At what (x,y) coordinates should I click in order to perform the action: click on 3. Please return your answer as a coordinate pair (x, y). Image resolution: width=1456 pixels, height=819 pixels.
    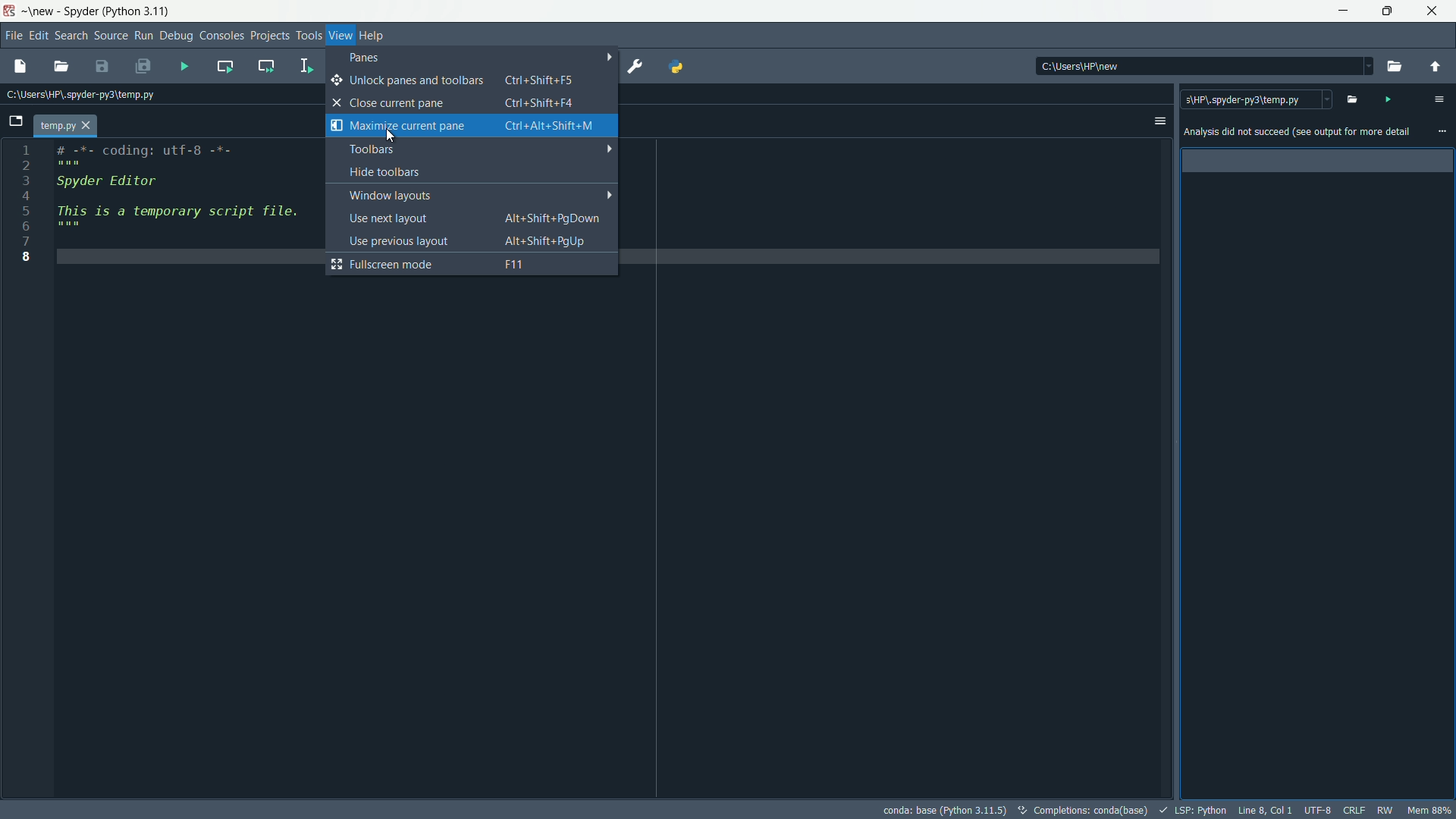
    Looking at the image, I should click on (29, 182).